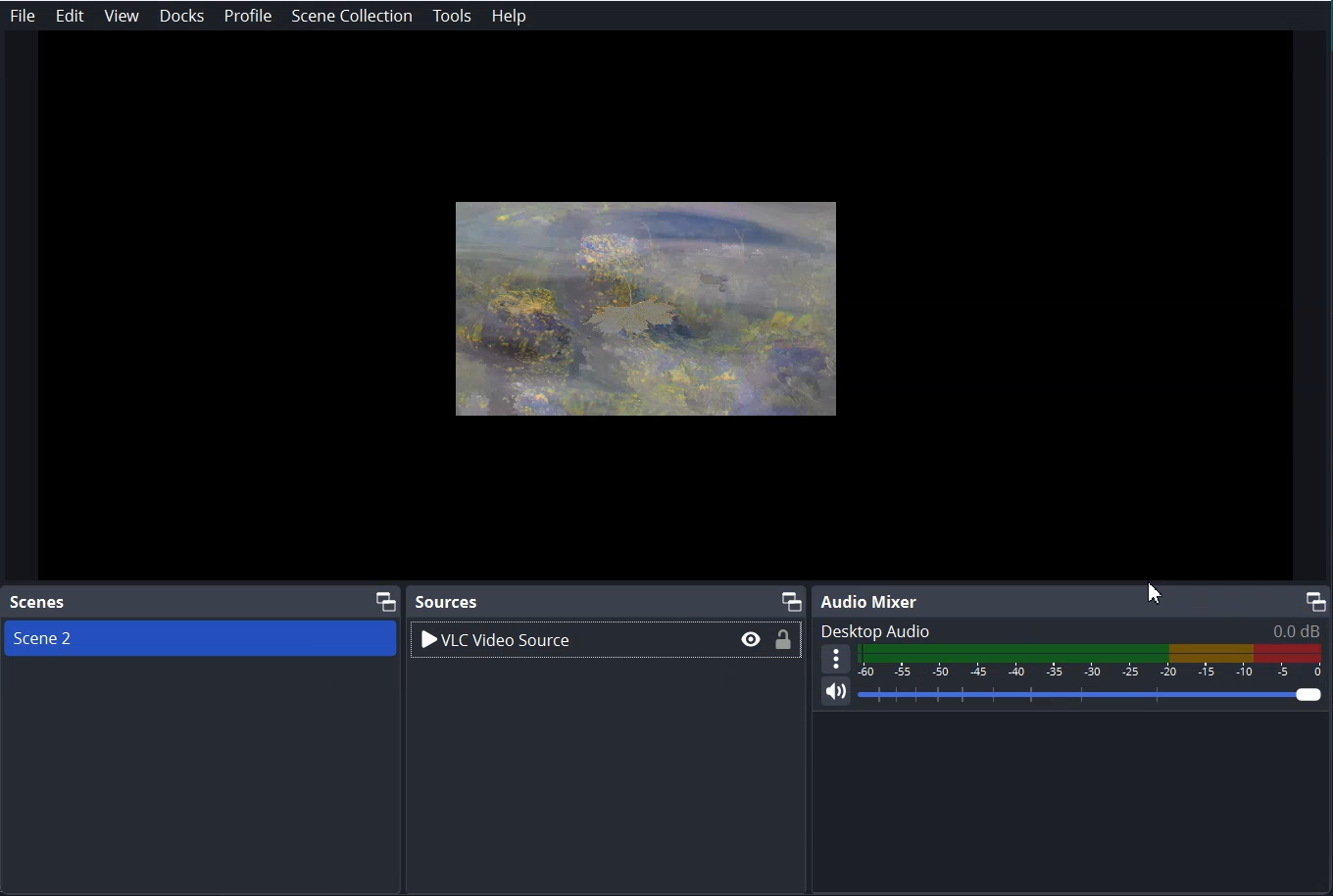  Describe the element at coordinates (248, 16) in the screenshot. I see `Profile` at that location.